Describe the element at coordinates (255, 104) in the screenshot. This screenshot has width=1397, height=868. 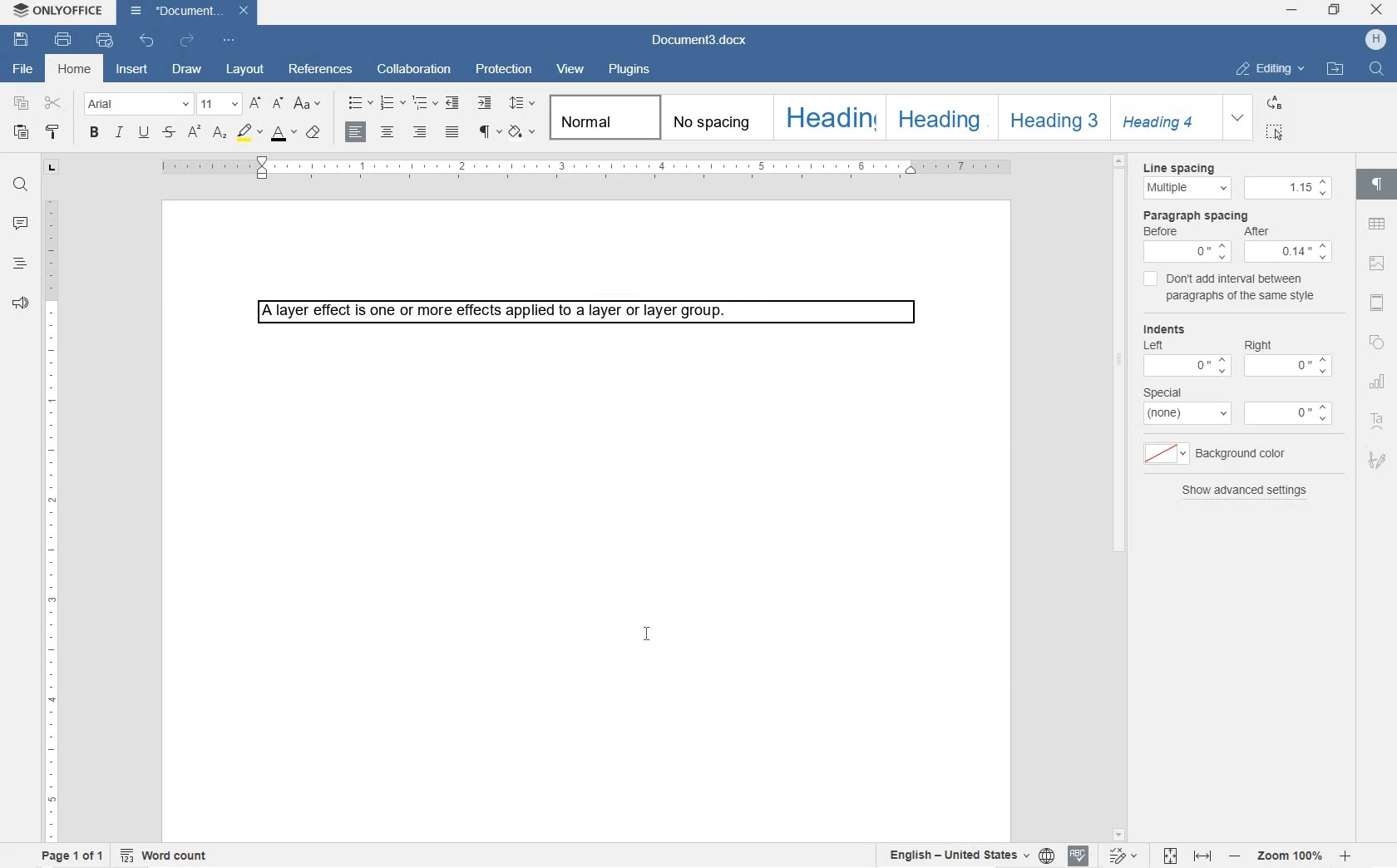
I see `INCREMENT FONT SIZE` at that location.